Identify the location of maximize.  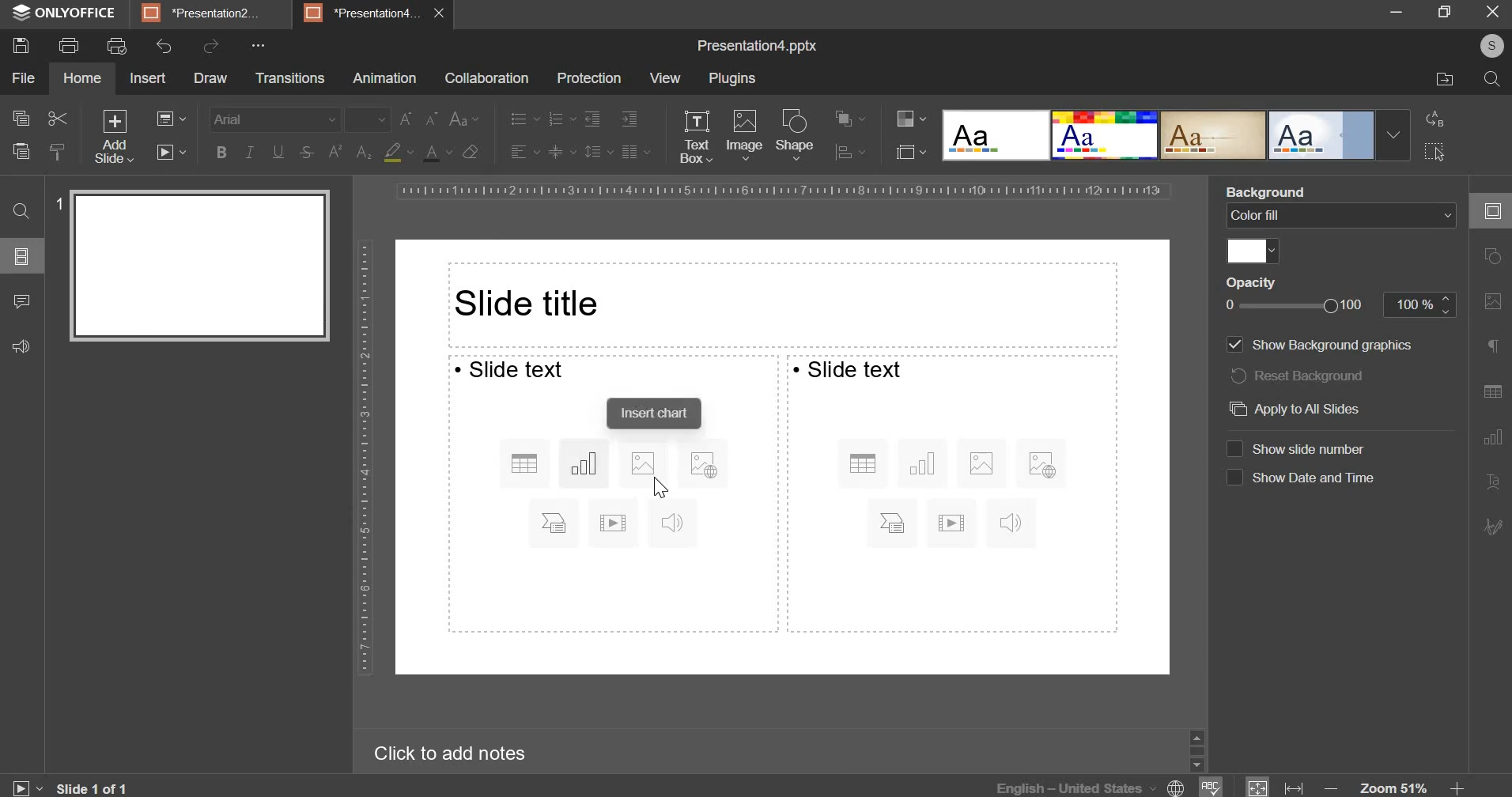
(1446, 11).